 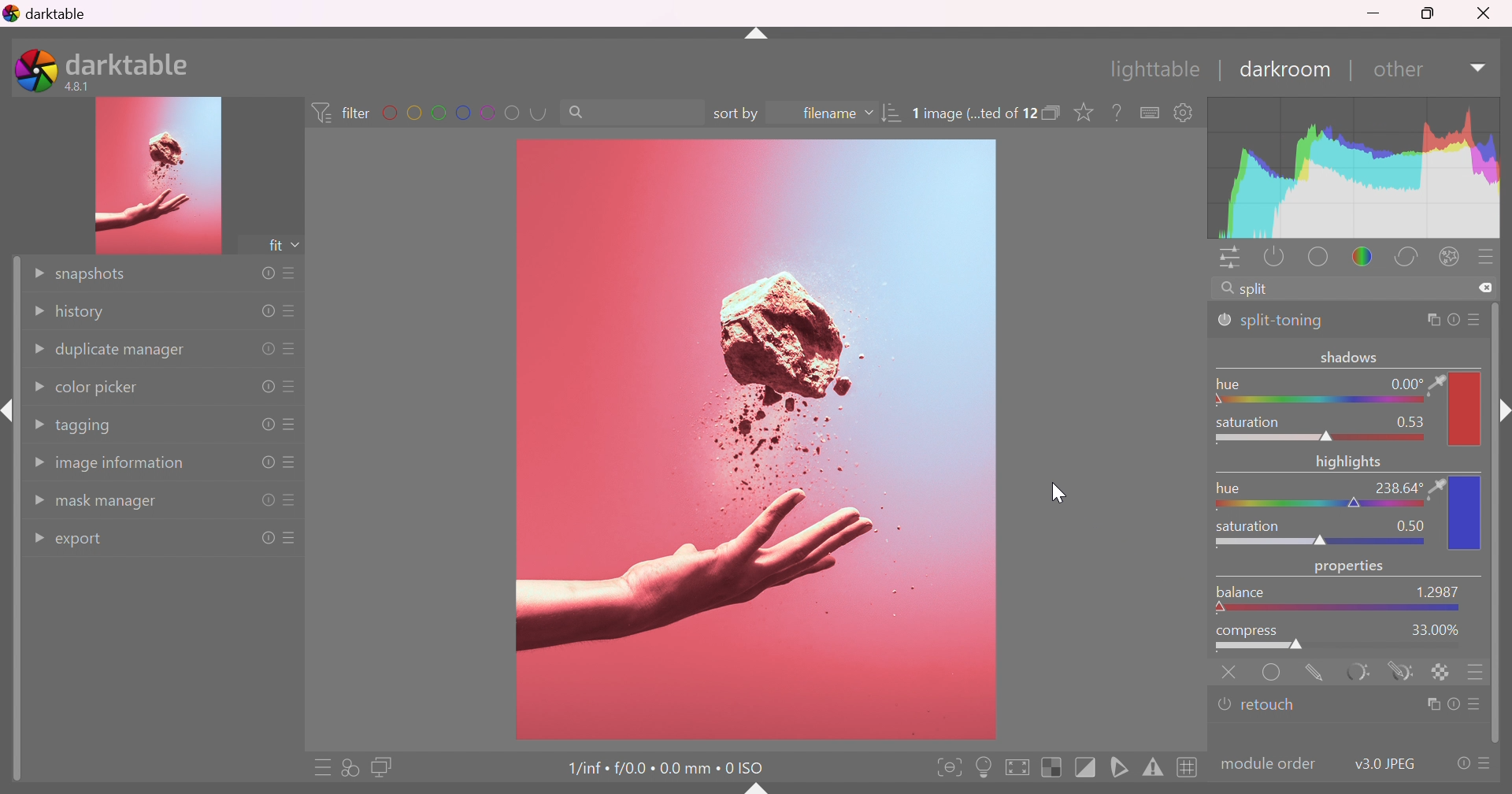 What do you see at coordinates (1485, 764) in the screenshot?
I see `presets` at bounding box center [1485, 764].